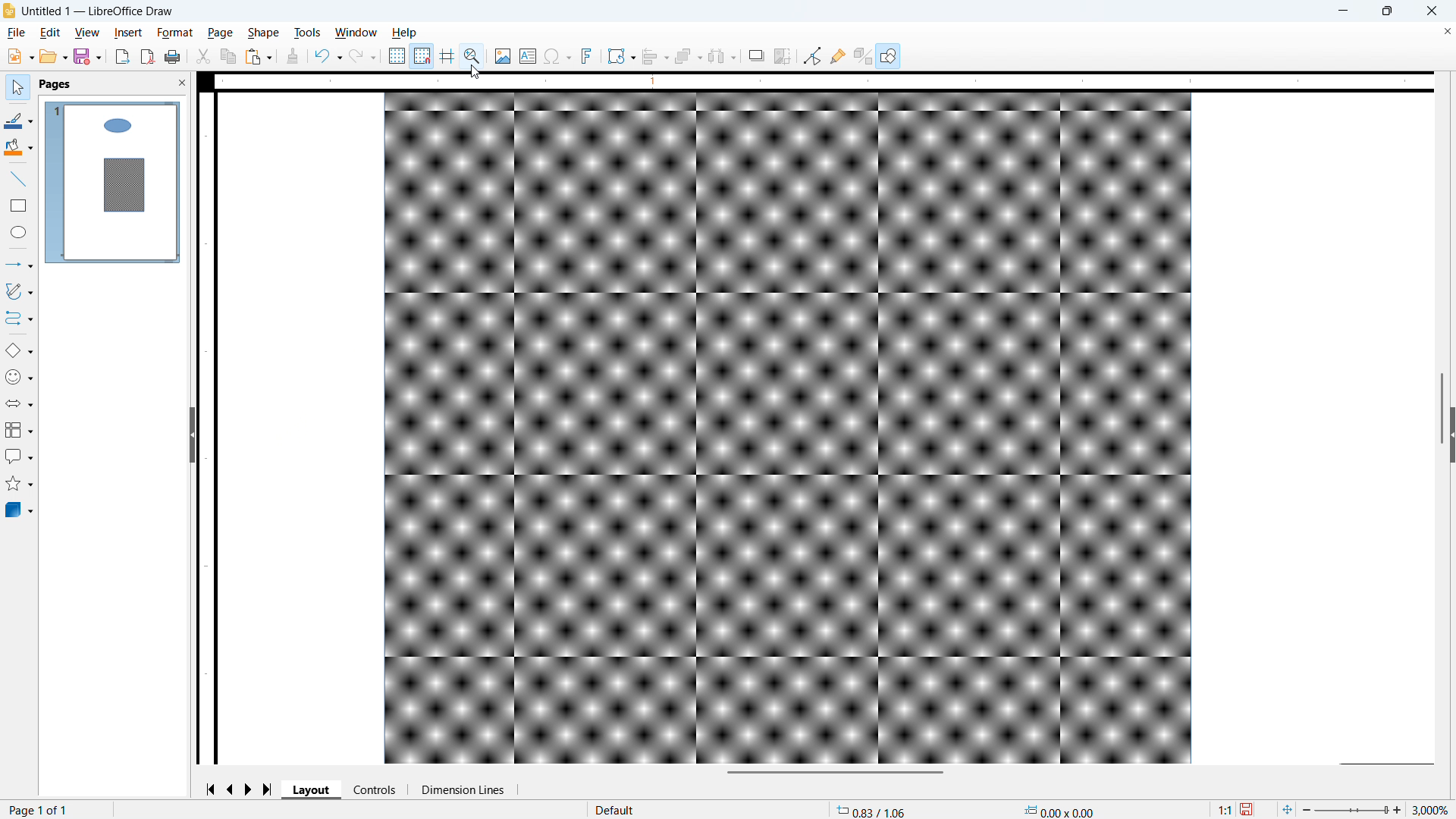  What do you see at coordinates (53, 57) in the screenshot?
I see `open ` at bounding box center [53, 57].